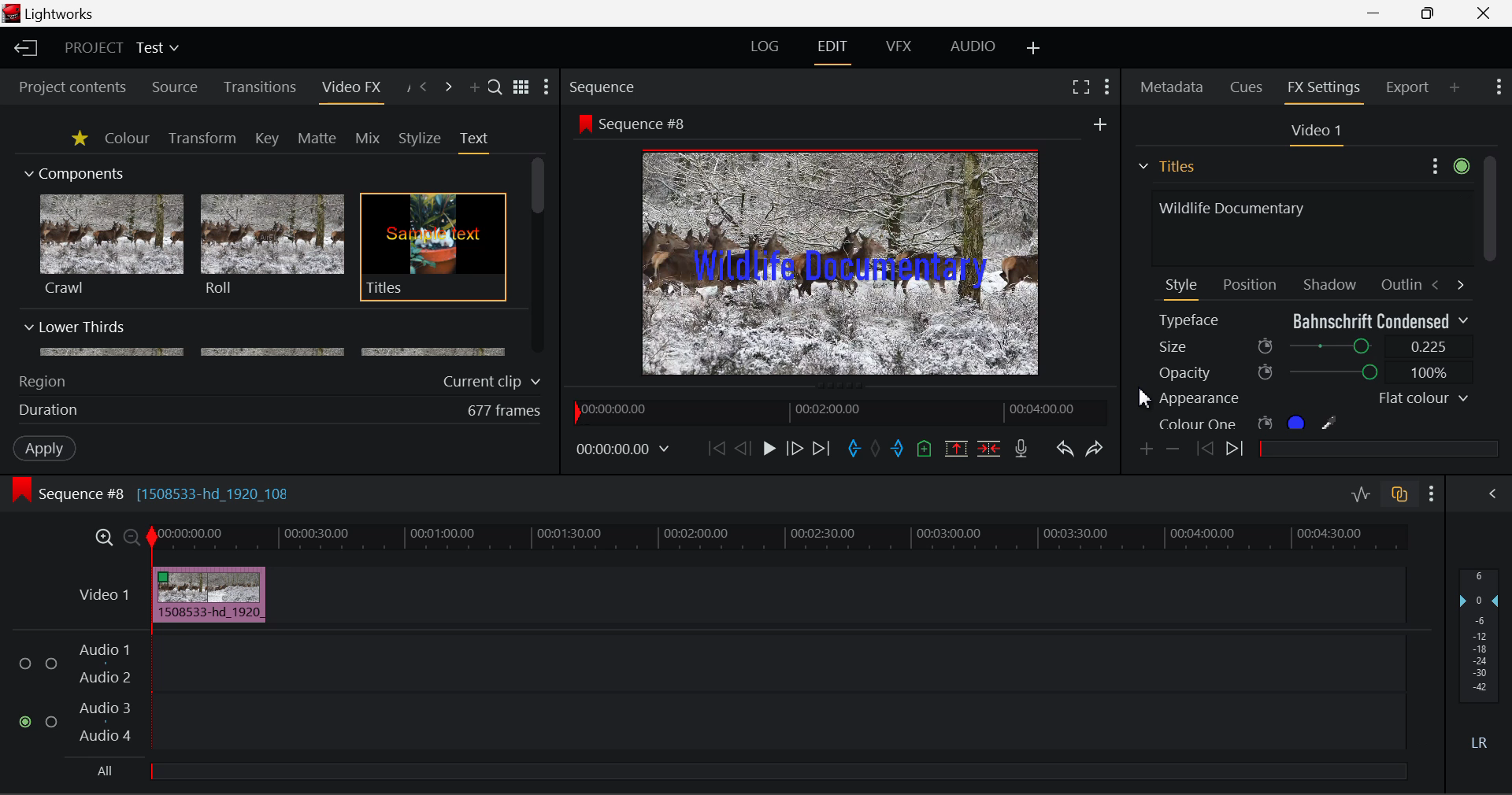 This screenshot has height=795, width=1512. I want to click on checkbox, so click(54, 723).